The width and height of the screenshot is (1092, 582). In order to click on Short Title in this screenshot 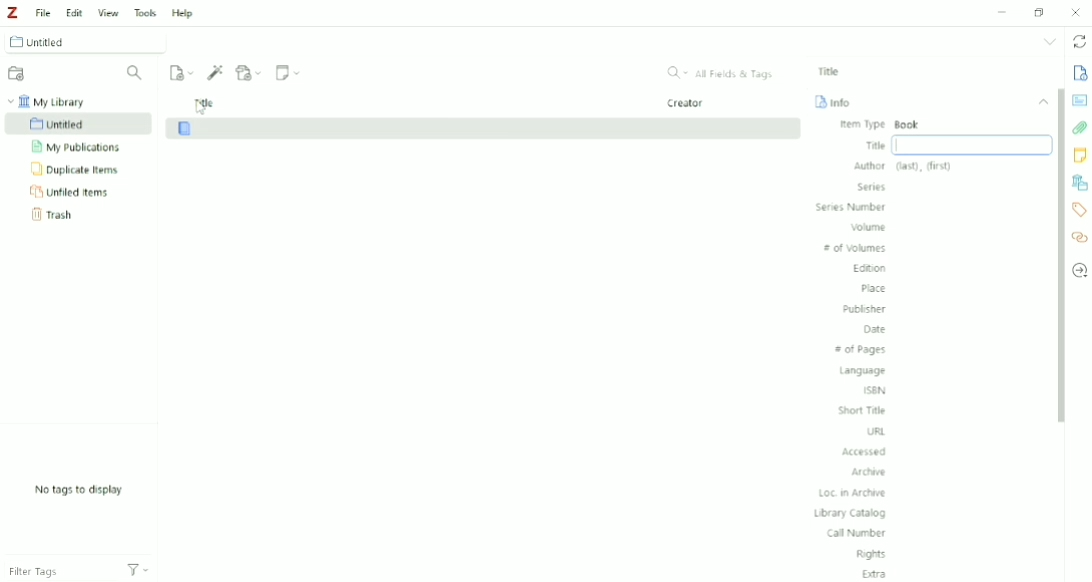, I will do `click(863, 410)`.